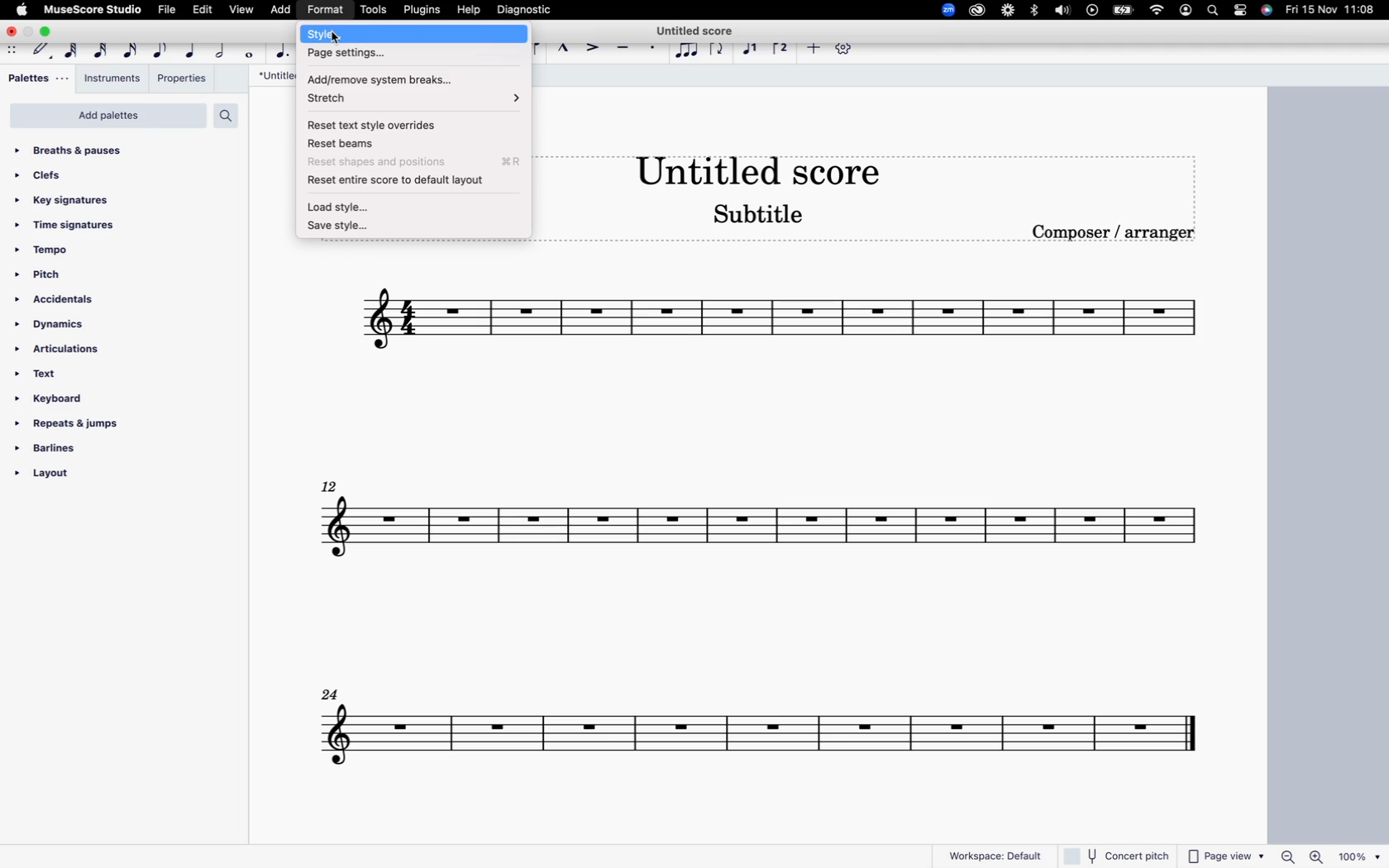  I want to click on add palettes, so click(107, 116).